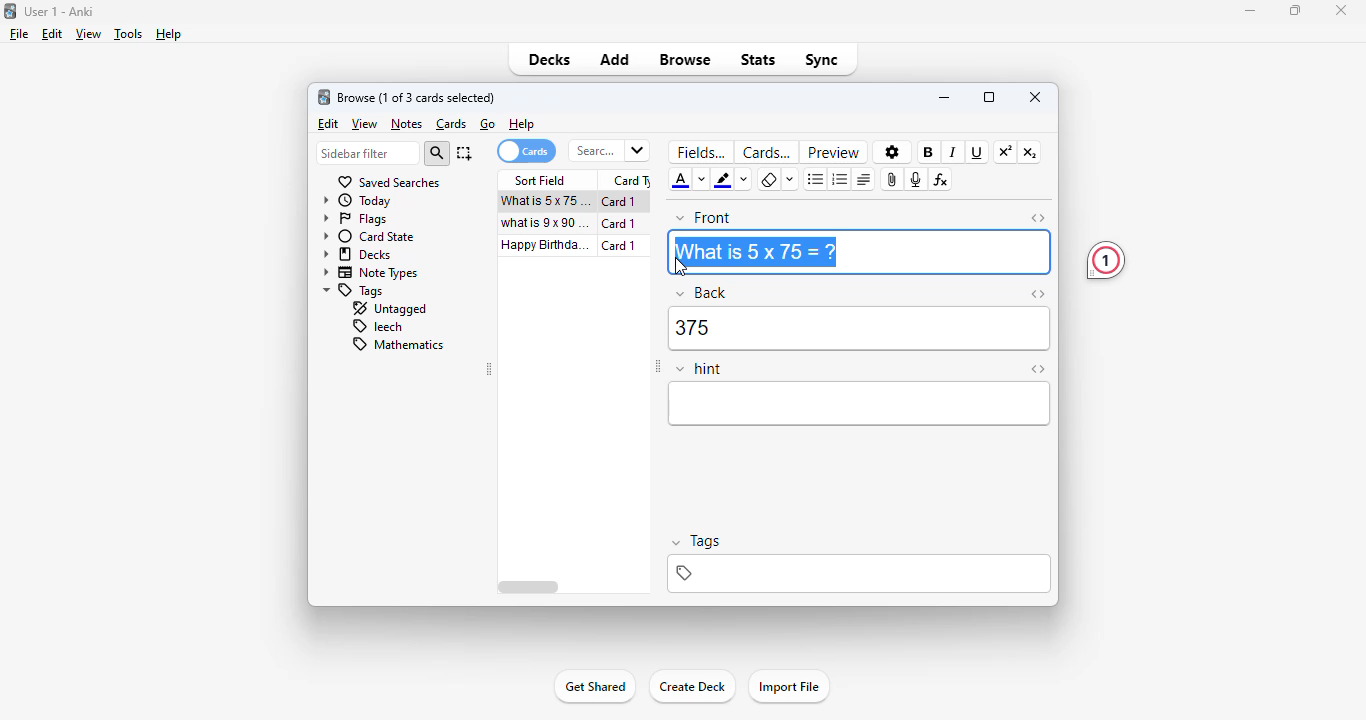  Describe the element at coordinates (929, 152) in the screenshot. I see `bold` at that location.